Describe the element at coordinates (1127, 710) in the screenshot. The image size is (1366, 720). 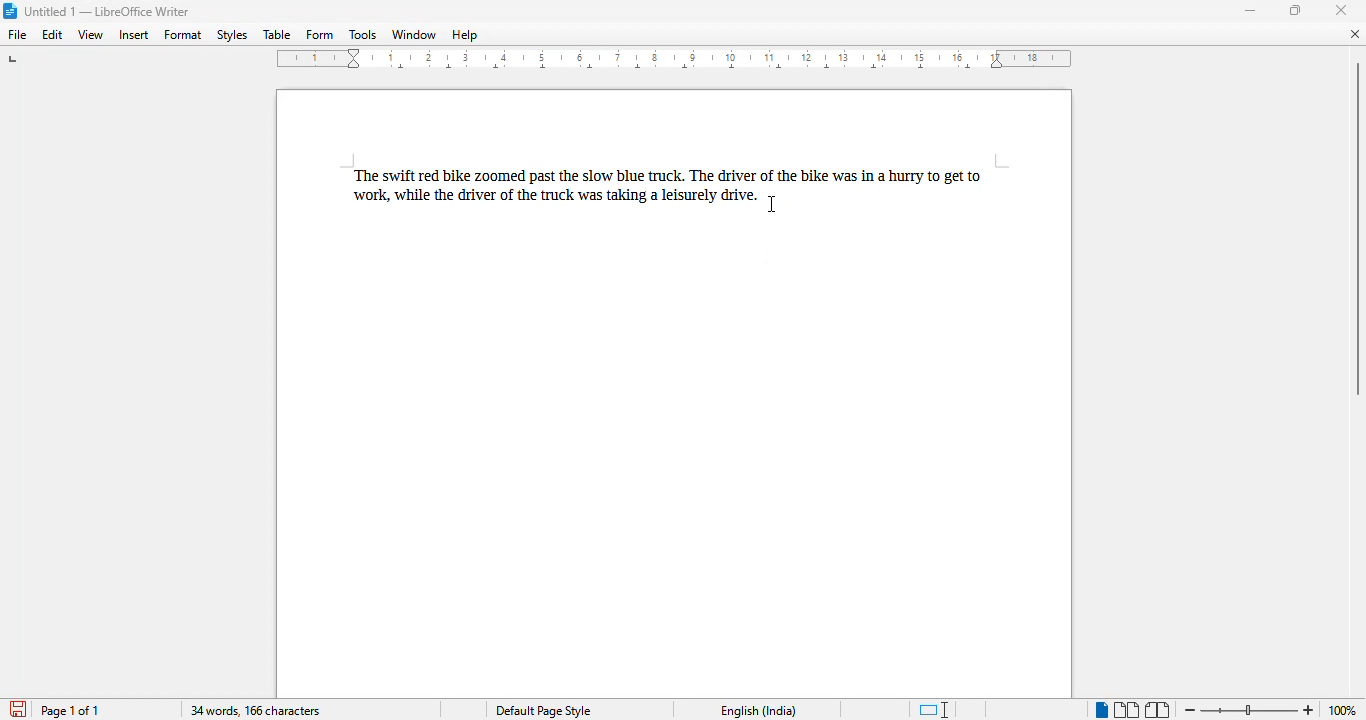
I see `multi-page view` at that location.